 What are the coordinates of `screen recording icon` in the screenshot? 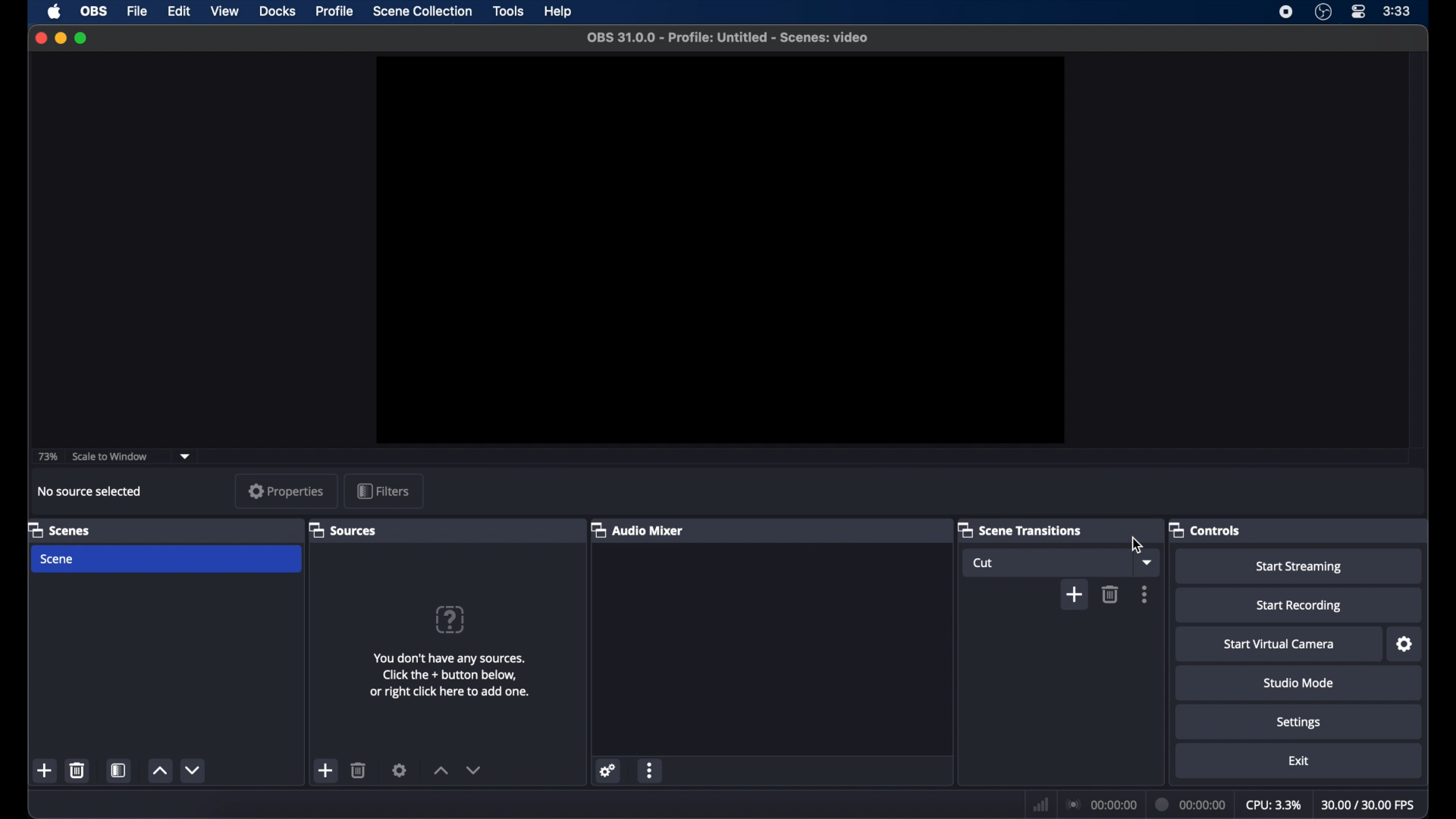 It's located at (1286, 12).